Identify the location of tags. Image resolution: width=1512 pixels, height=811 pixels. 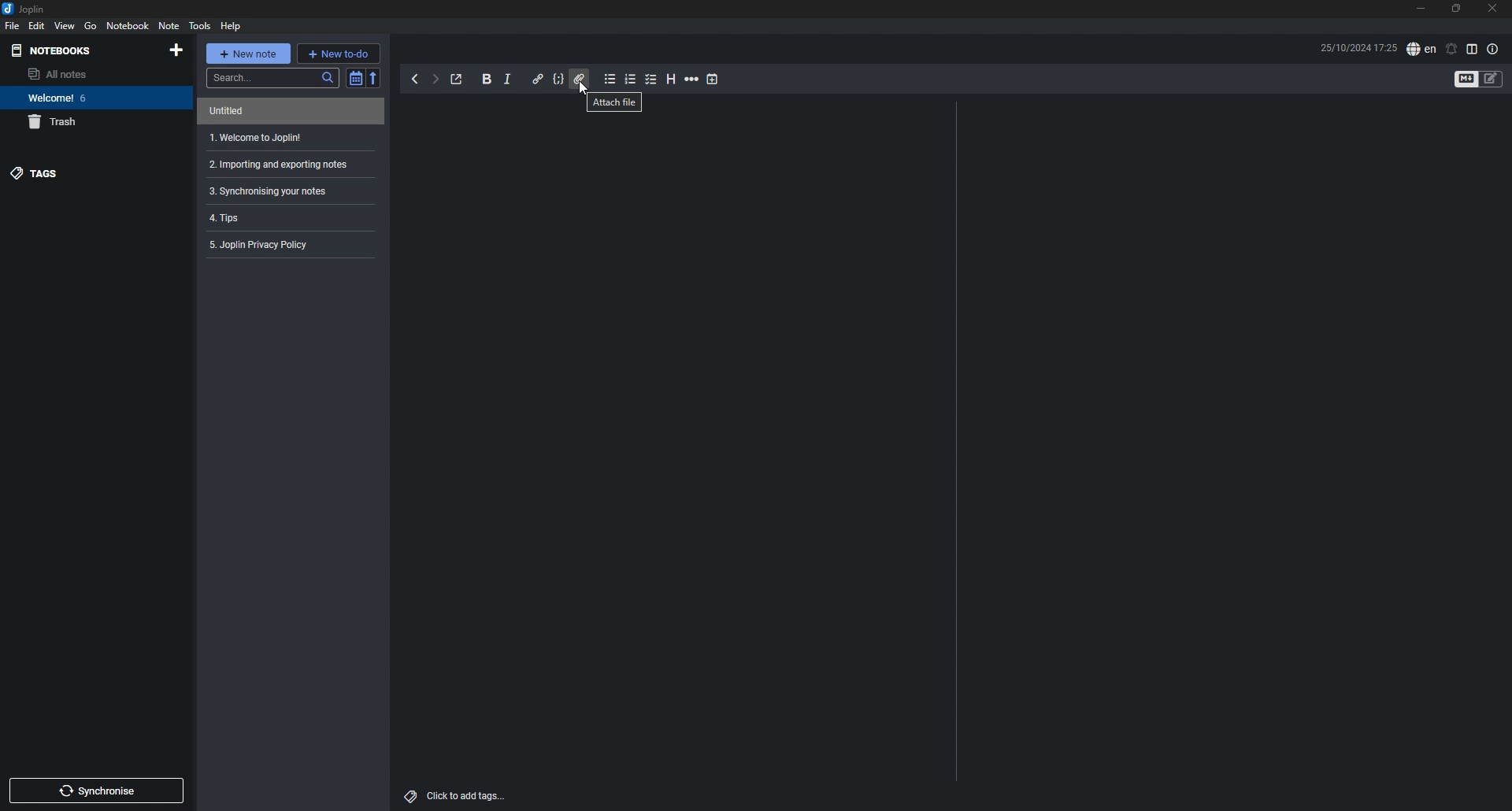
(85, 174).